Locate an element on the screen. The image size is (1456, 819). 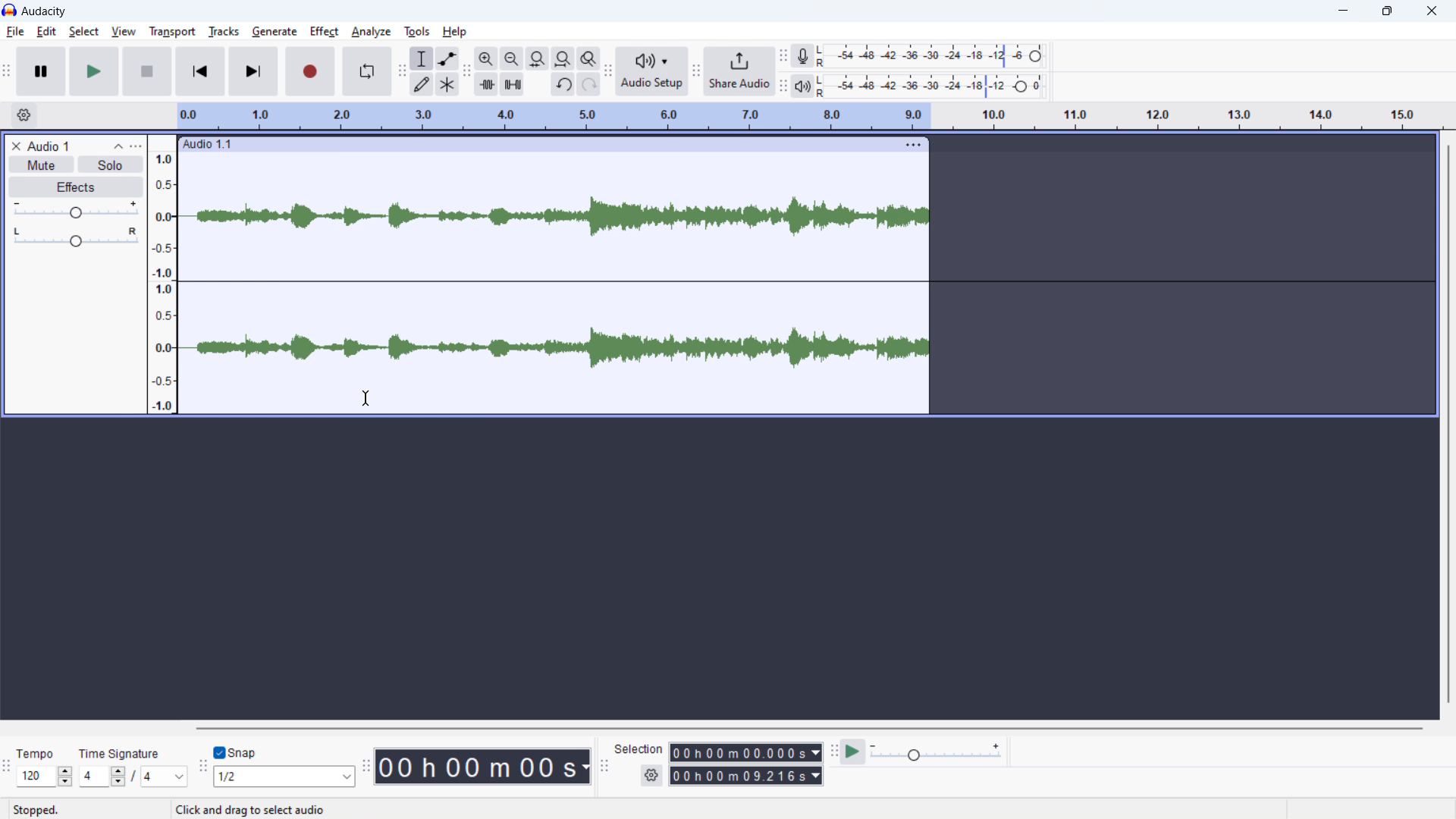
title is located at coordinates (45, 11).